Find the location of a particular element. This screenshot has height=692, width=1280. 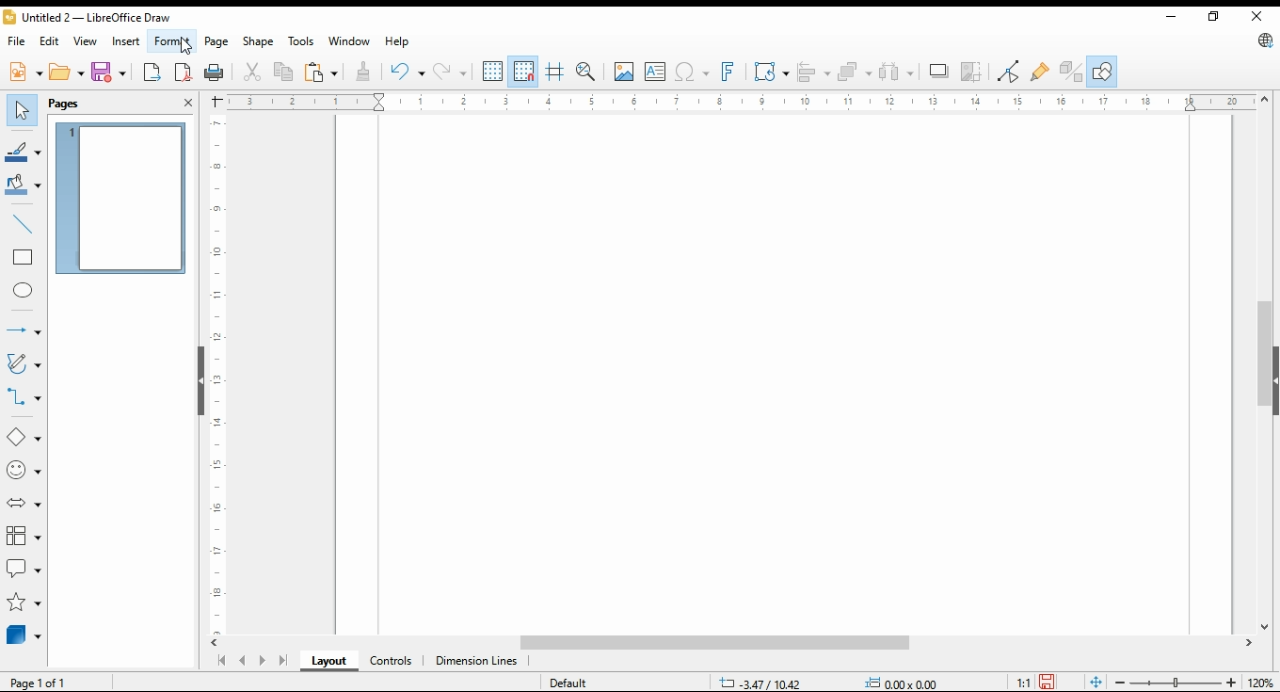

fill color is located at coordinates (23, 183).